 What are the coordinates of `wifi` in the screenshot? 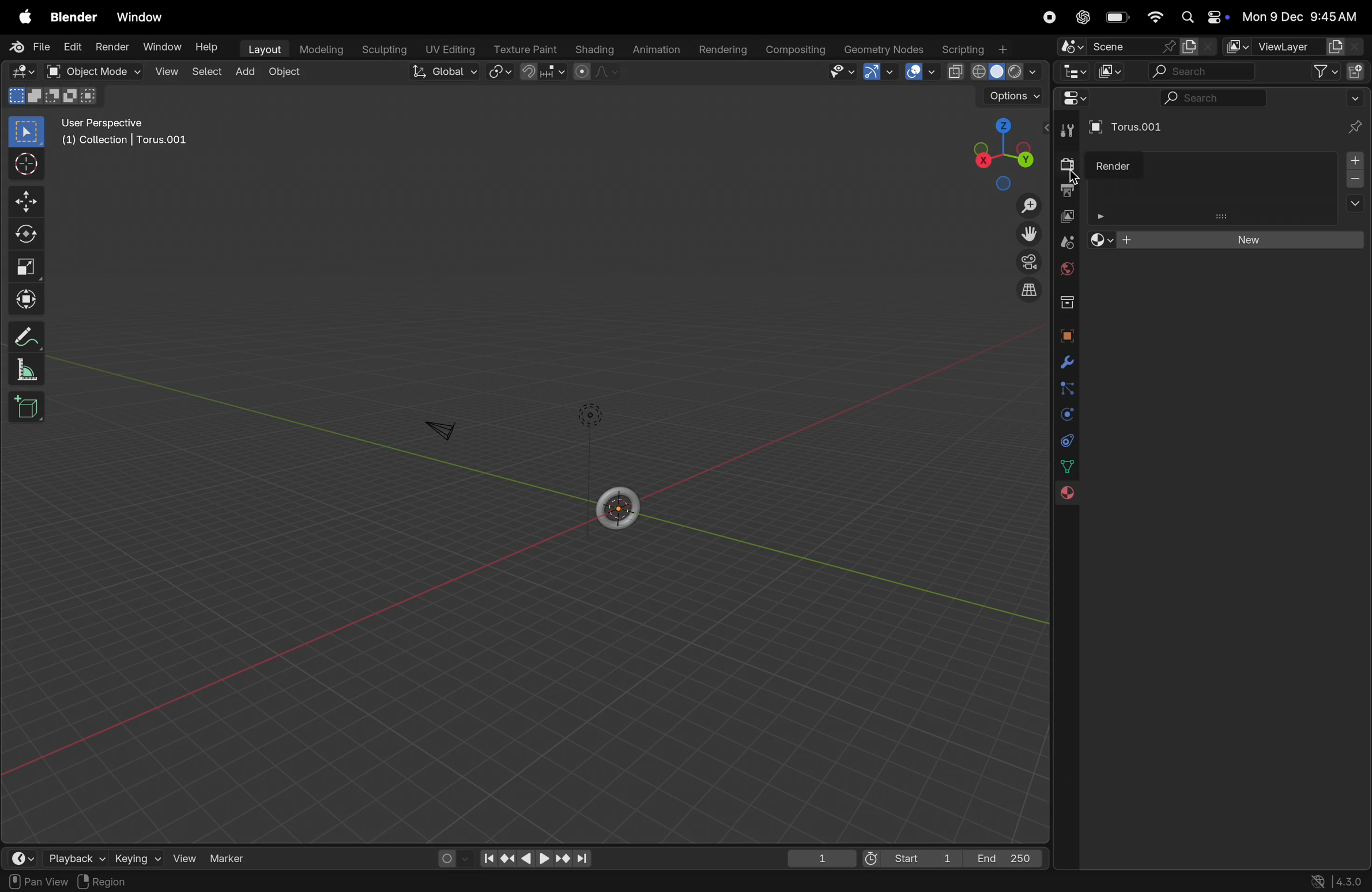 It's located at (1156, 18).